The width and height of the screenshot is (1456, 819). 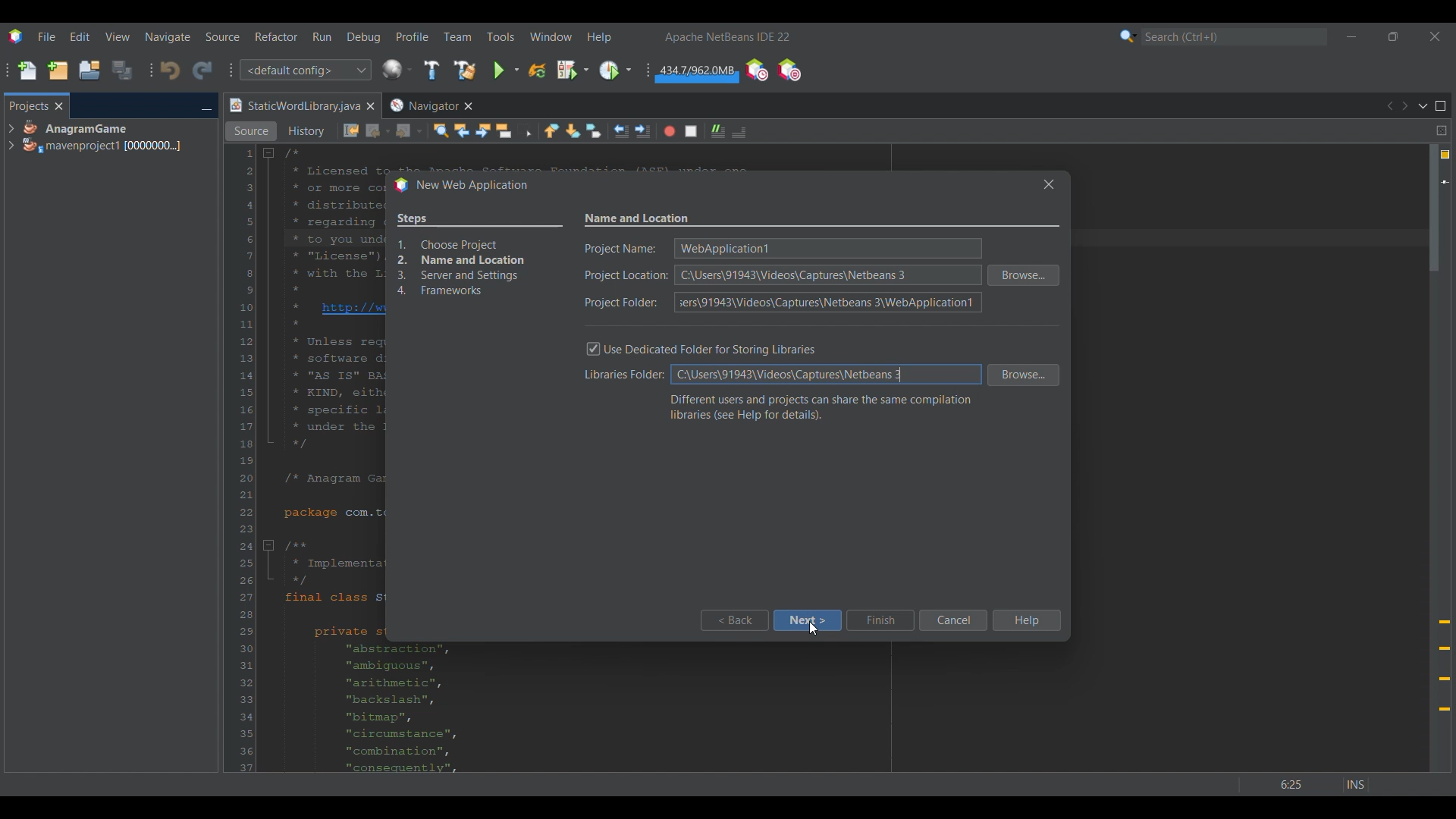 What do you see at coordinates (621, 376) in the screenshot?
I see `Indicates libraries folder textbox` at bounding box center [621, 376].